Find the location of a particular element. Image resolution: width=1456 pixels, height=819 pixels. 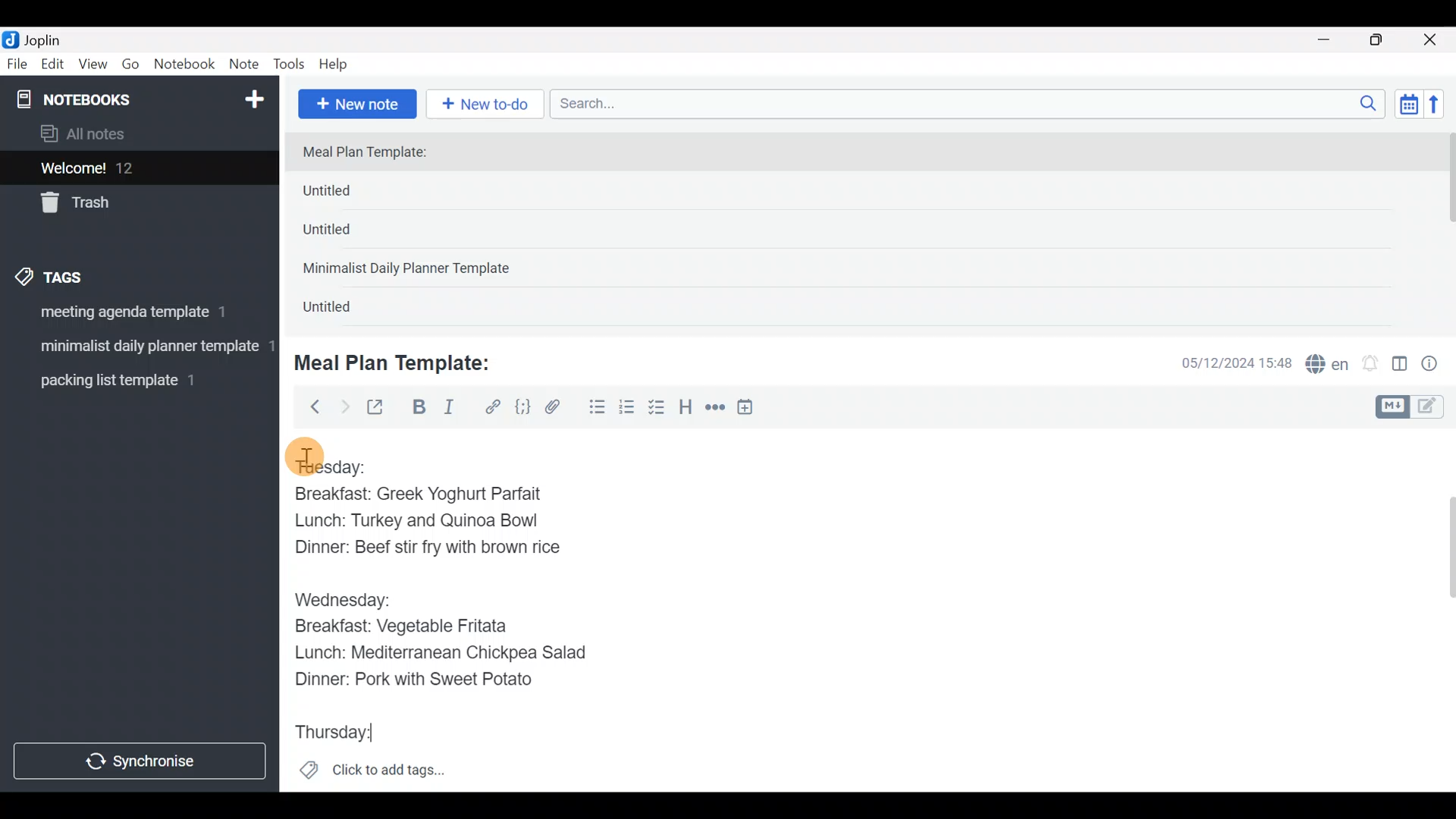

Thursday: is located at coordinates (349, 733).